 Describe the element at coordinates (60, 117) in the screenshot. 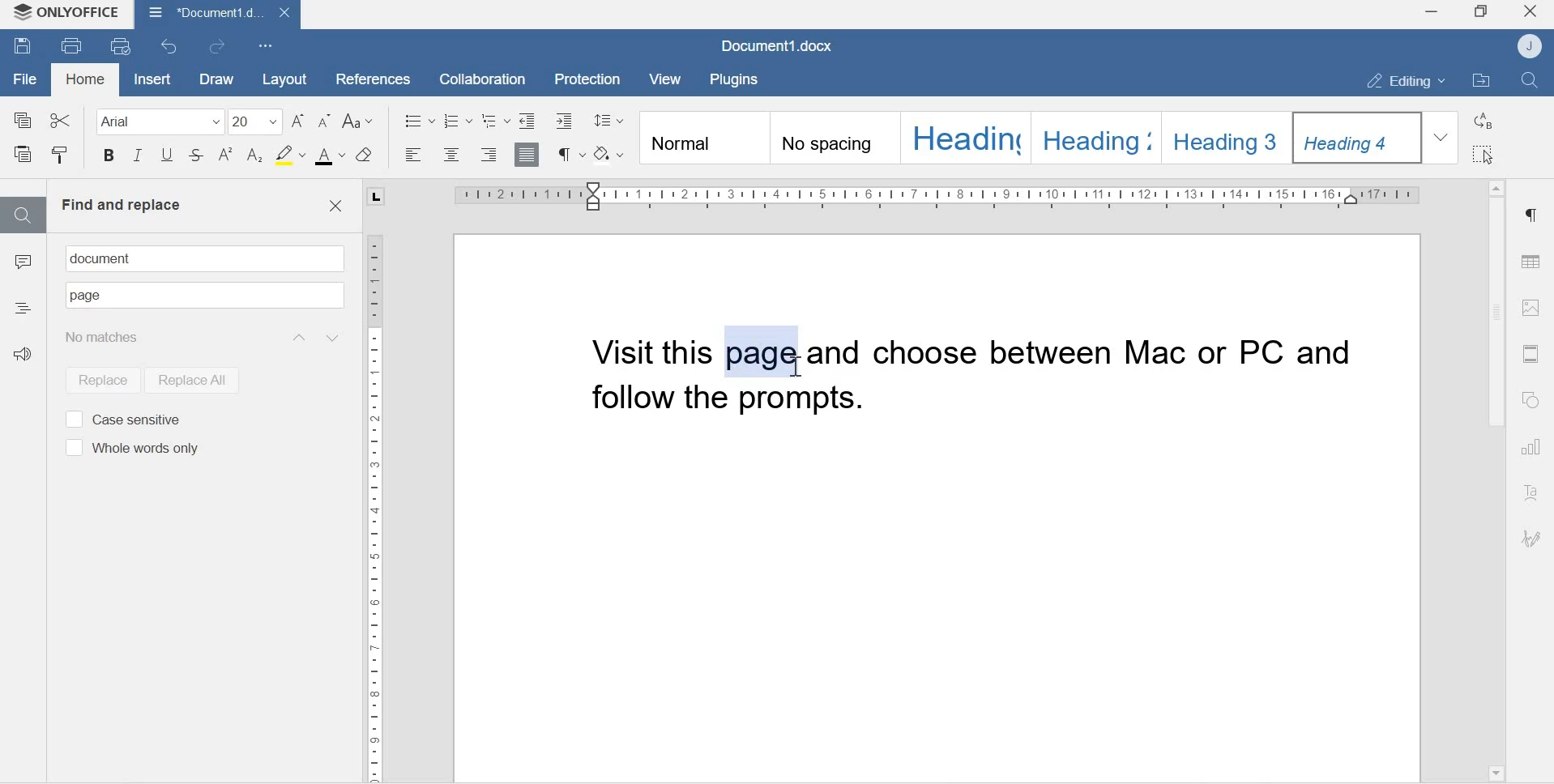

I see `Cut` at that location.